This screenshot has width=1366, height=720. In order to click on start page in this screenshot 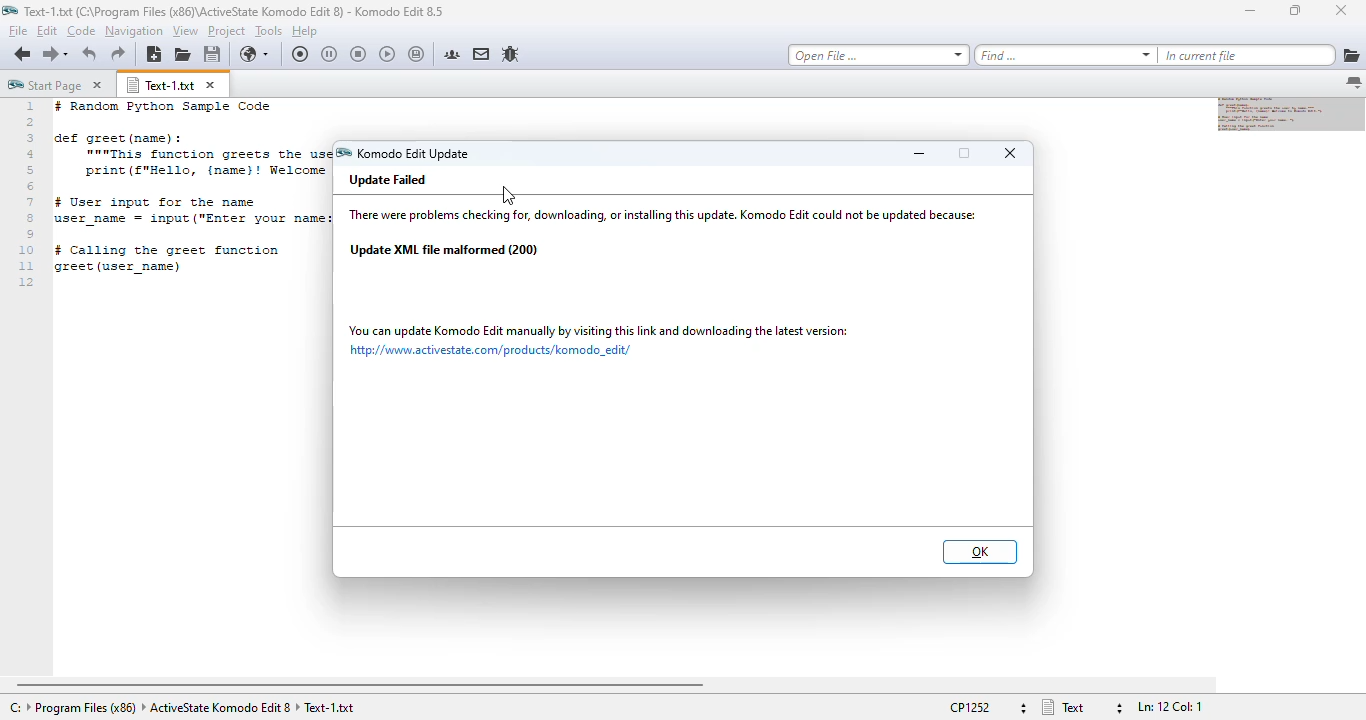, I will do `click(44, 84)`.